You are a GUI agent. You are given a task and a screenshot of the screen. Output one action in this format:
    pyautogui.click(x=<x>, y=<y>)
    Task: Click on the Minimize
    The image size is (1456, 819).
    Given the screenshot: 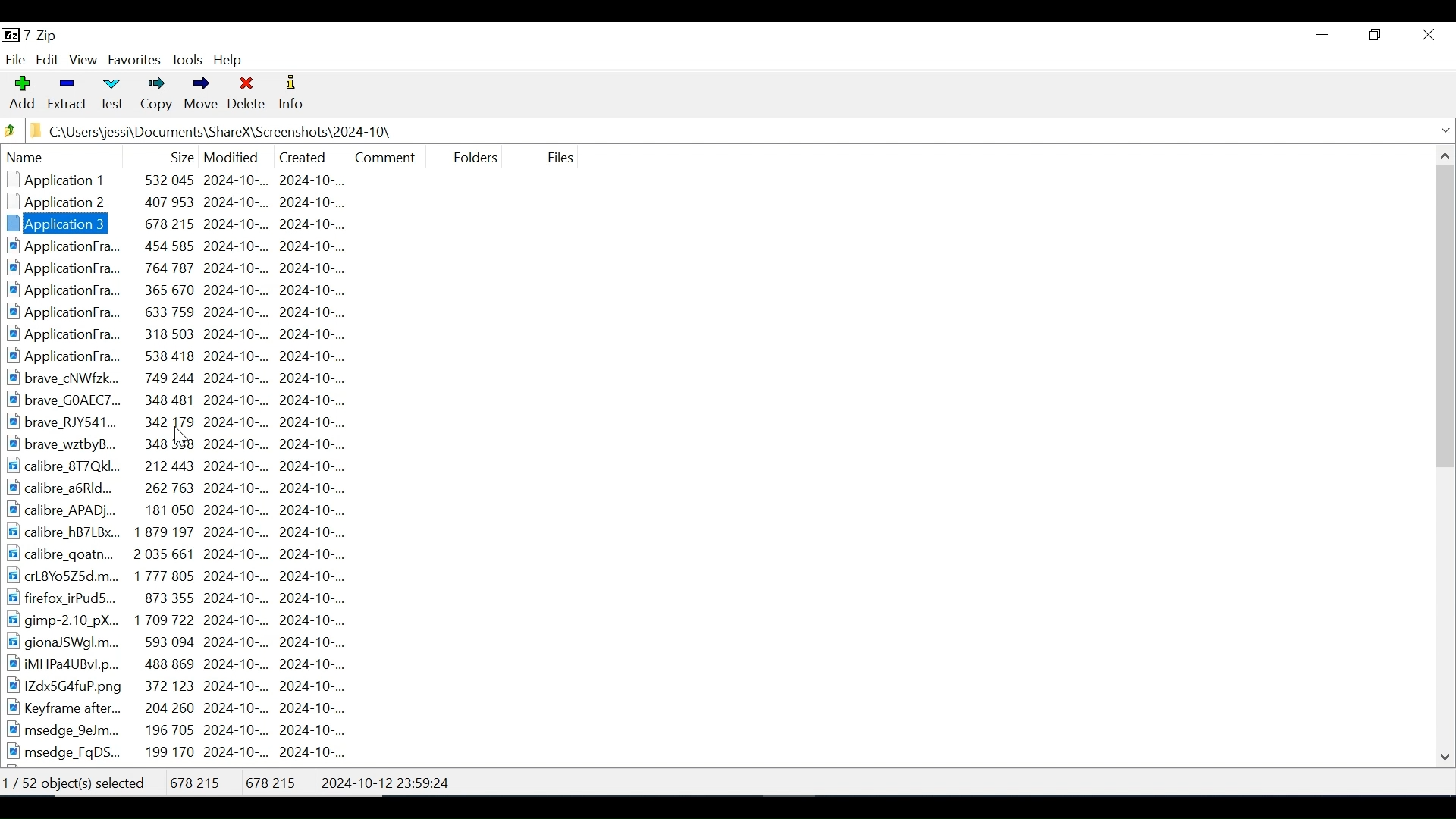 What is the action you would take?
    pyautogui.click(x=1323, y=34)
    